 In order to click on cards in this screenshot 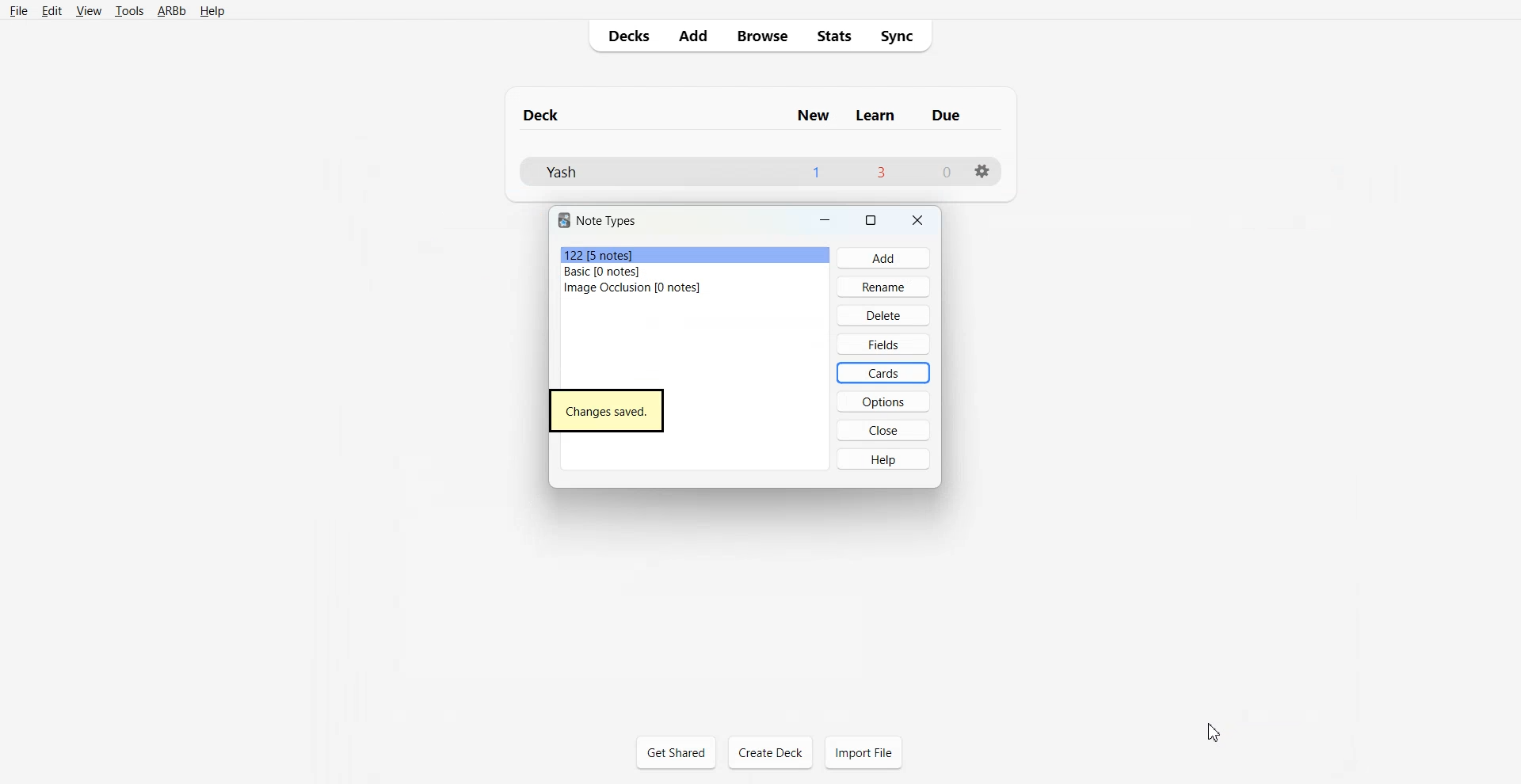, I will do `click(886, 371)`.